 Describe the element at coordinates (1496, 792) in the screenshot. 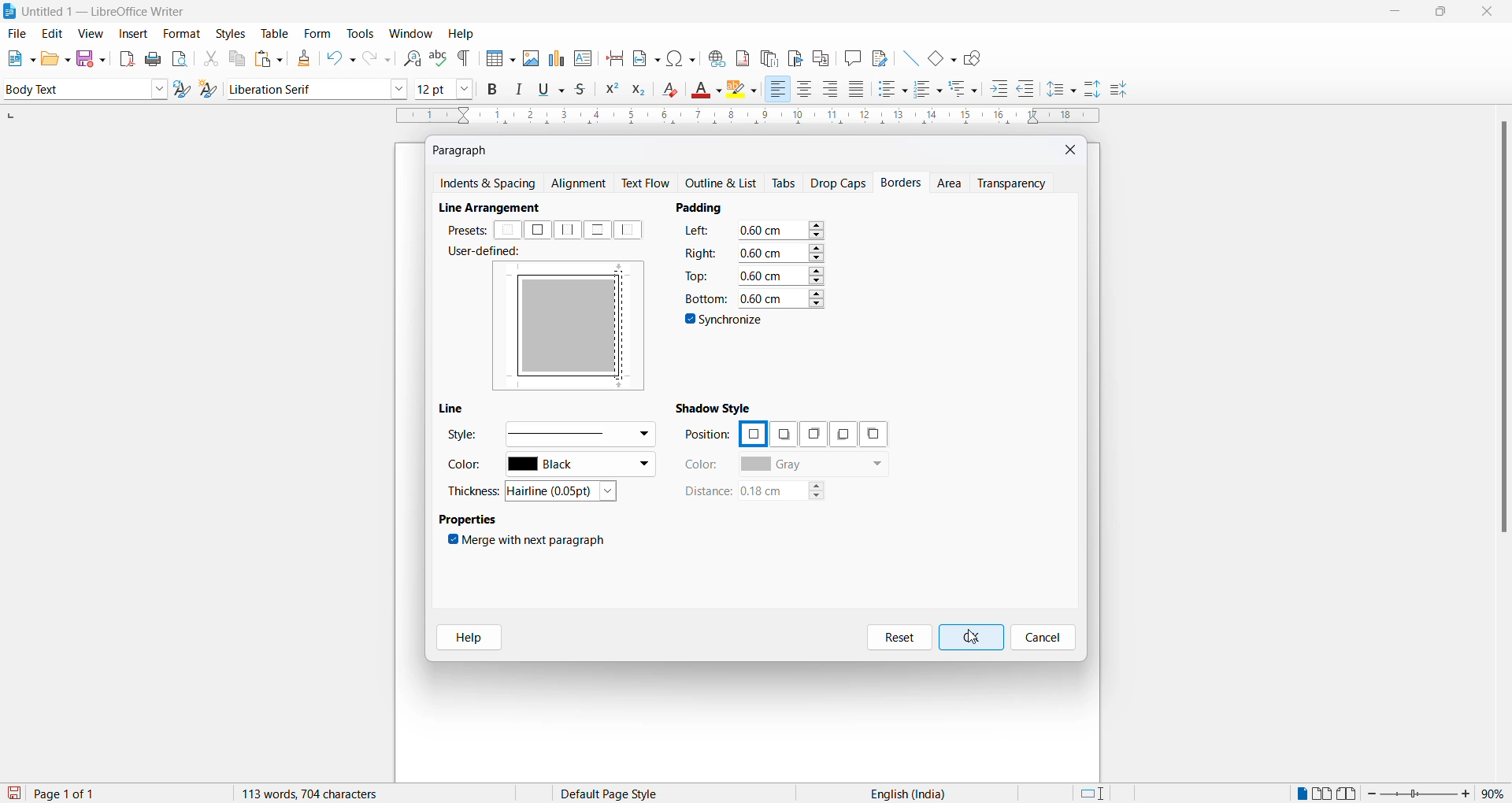

I see `zoom percentage` at that location.